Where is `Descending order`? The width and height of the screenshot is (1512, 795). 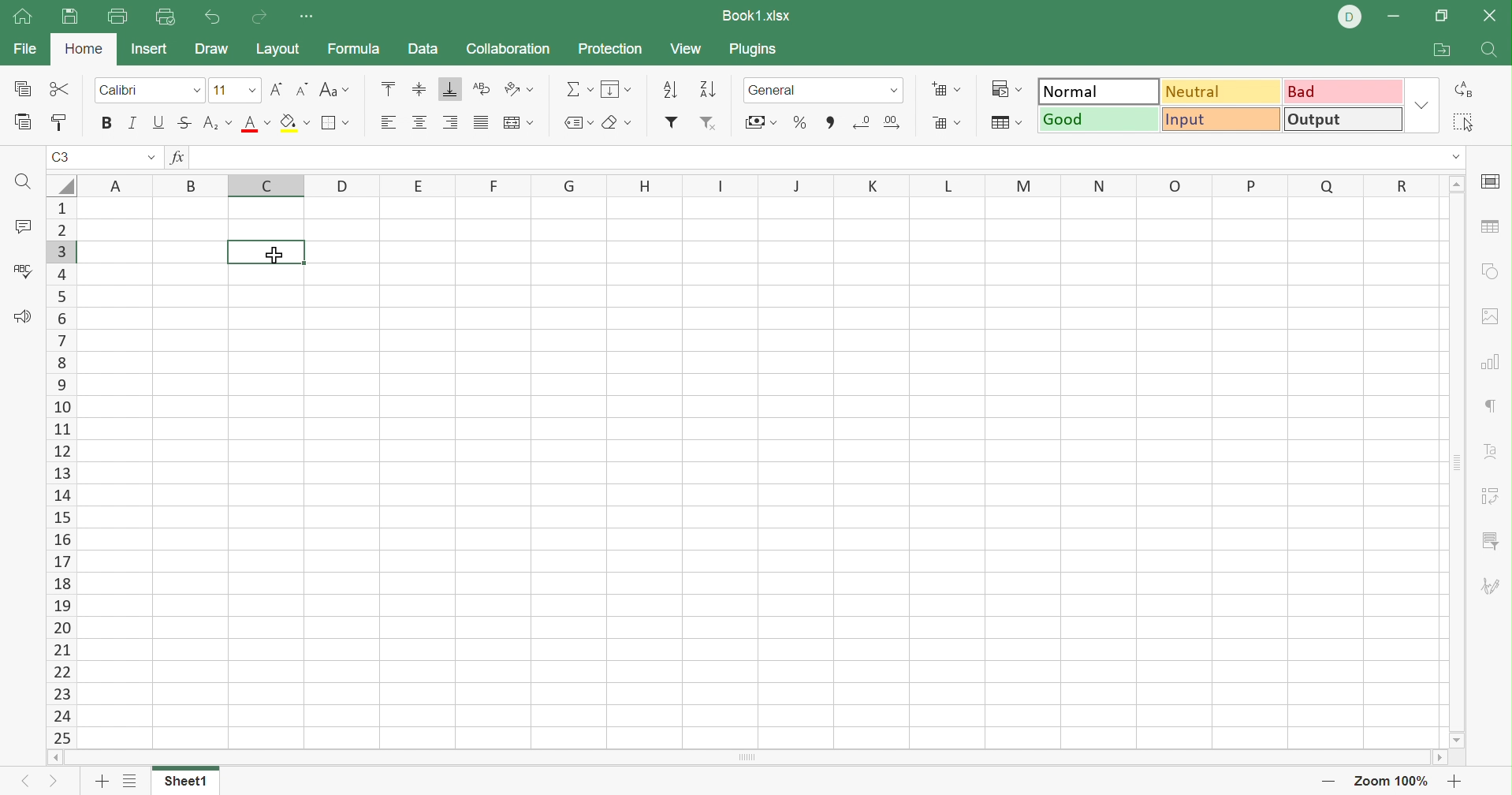
Descending order is located at coordinates (711, 88).